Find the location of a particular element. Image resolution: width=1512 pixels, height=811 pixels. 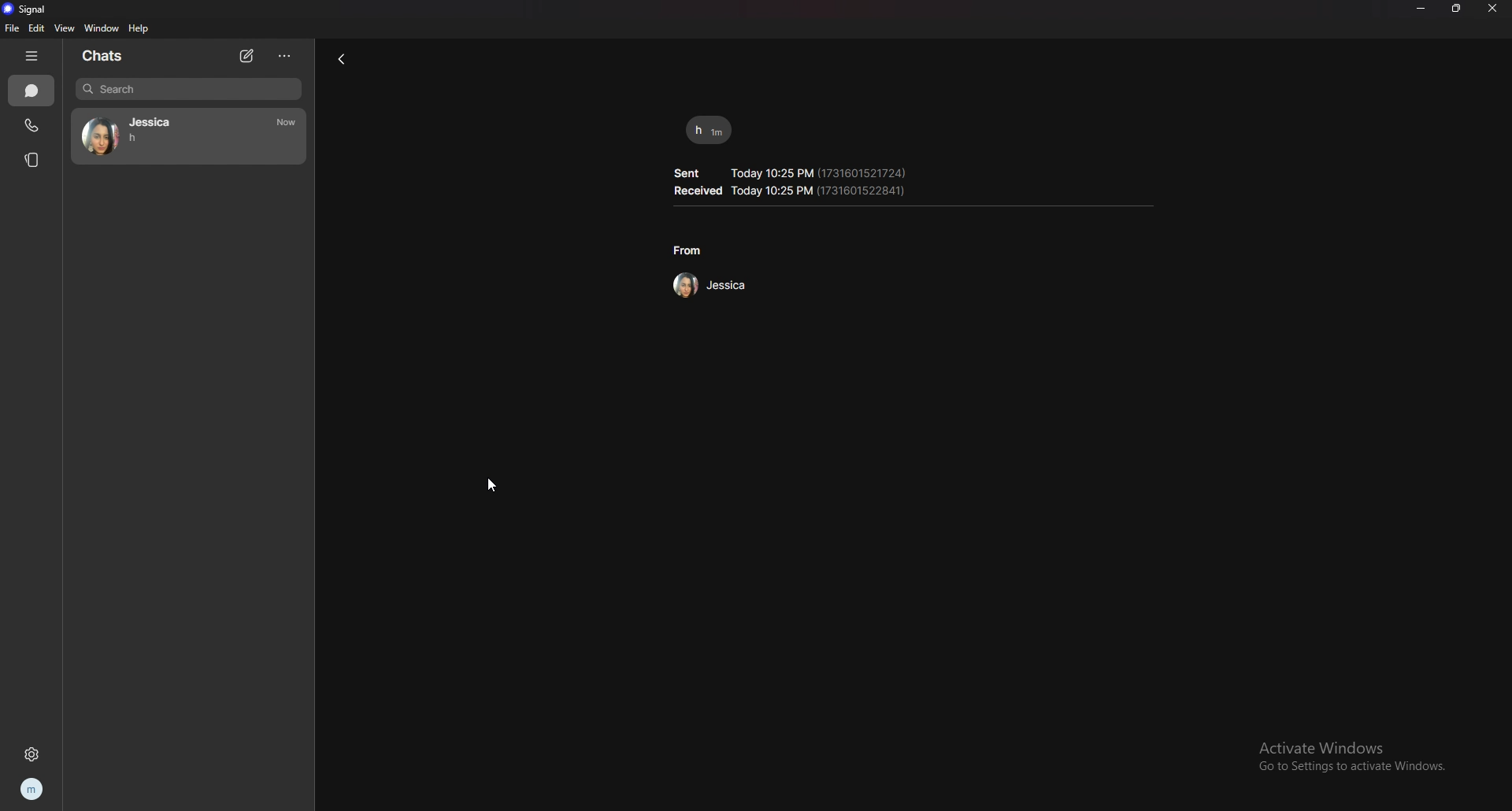

stories is located at coordinates (34, 161).